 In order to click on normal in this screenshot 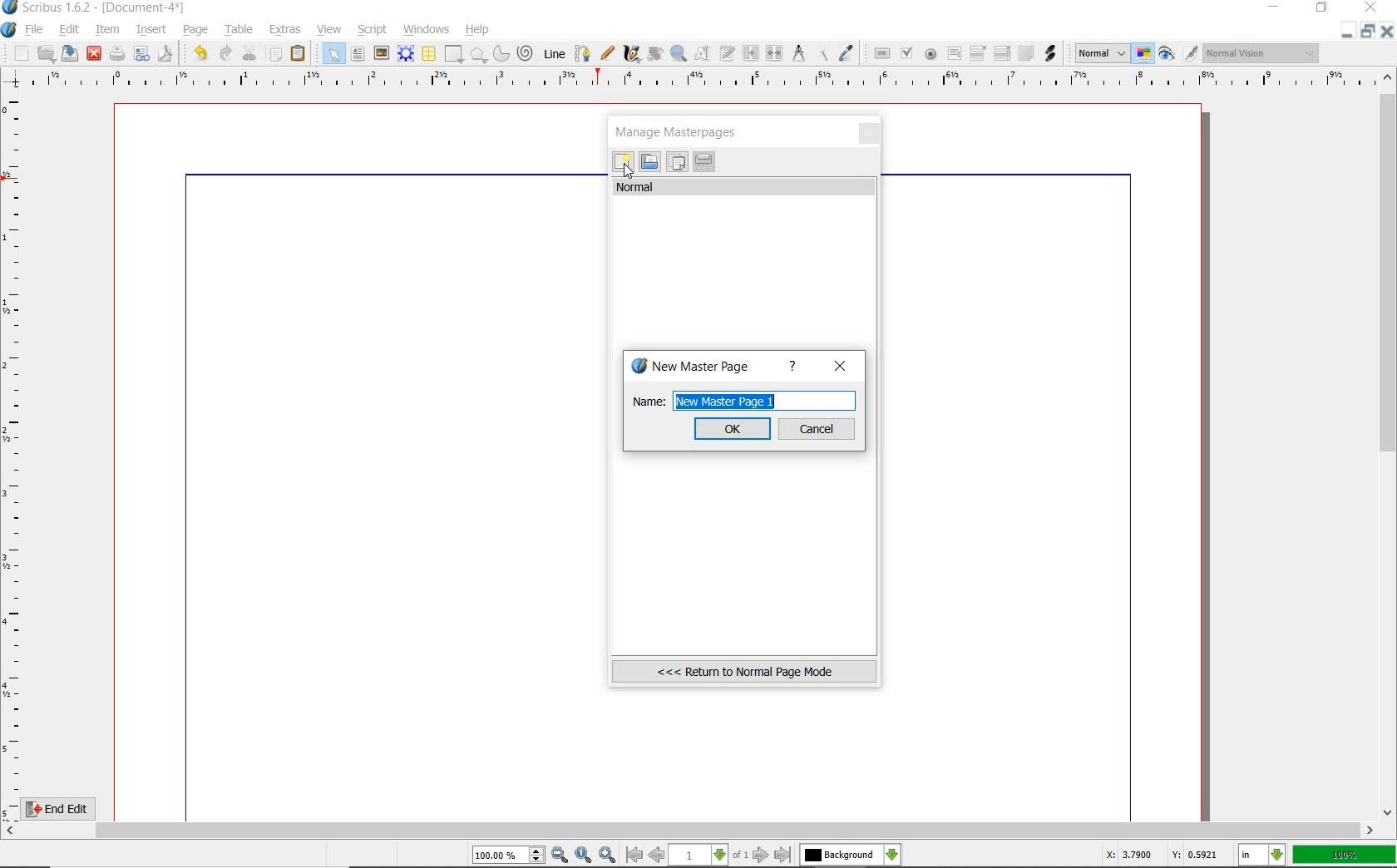, I will do `click(745, 187)`.